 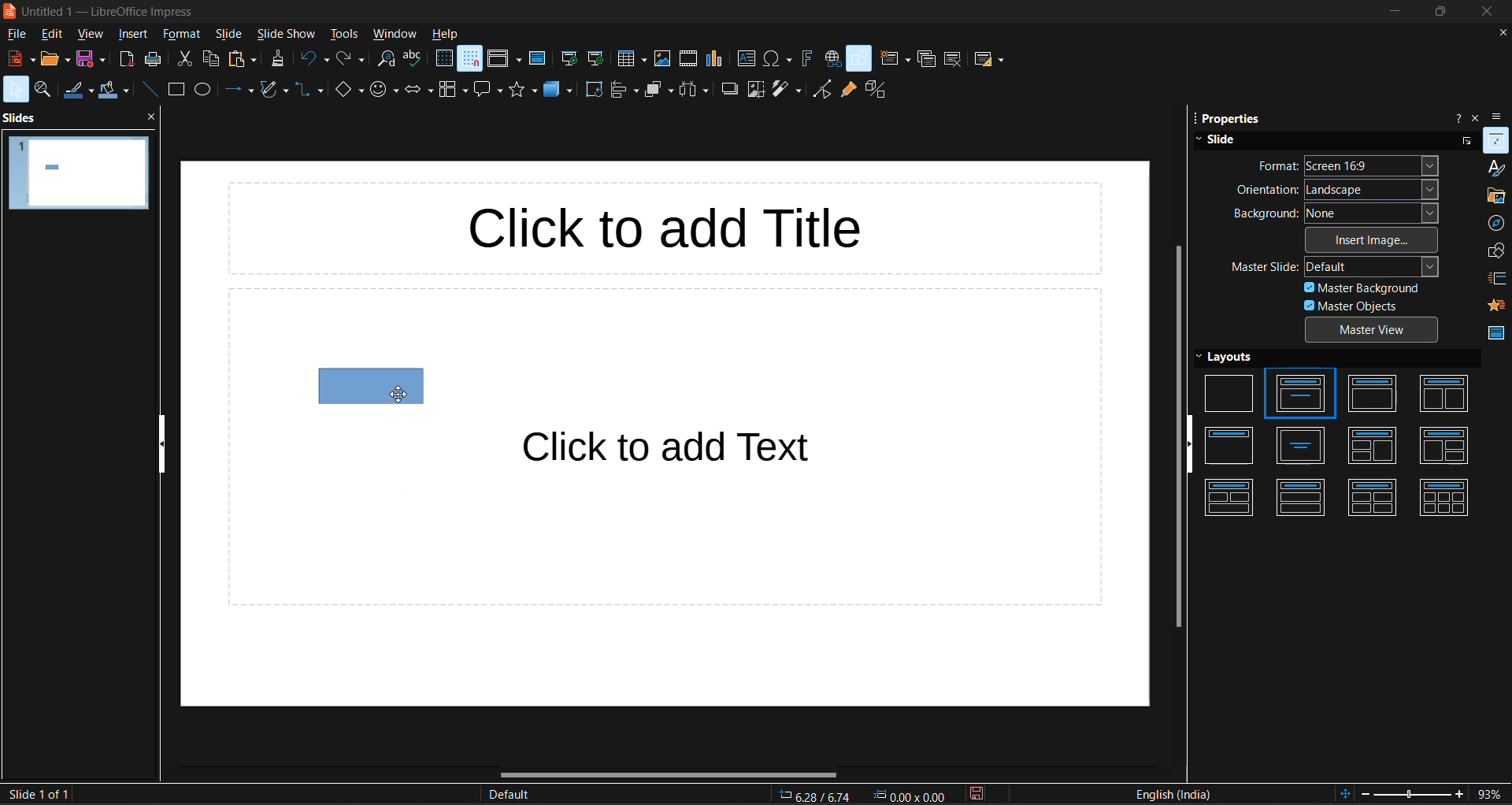 I want to click on slideshow, so click(x=284, y=35).